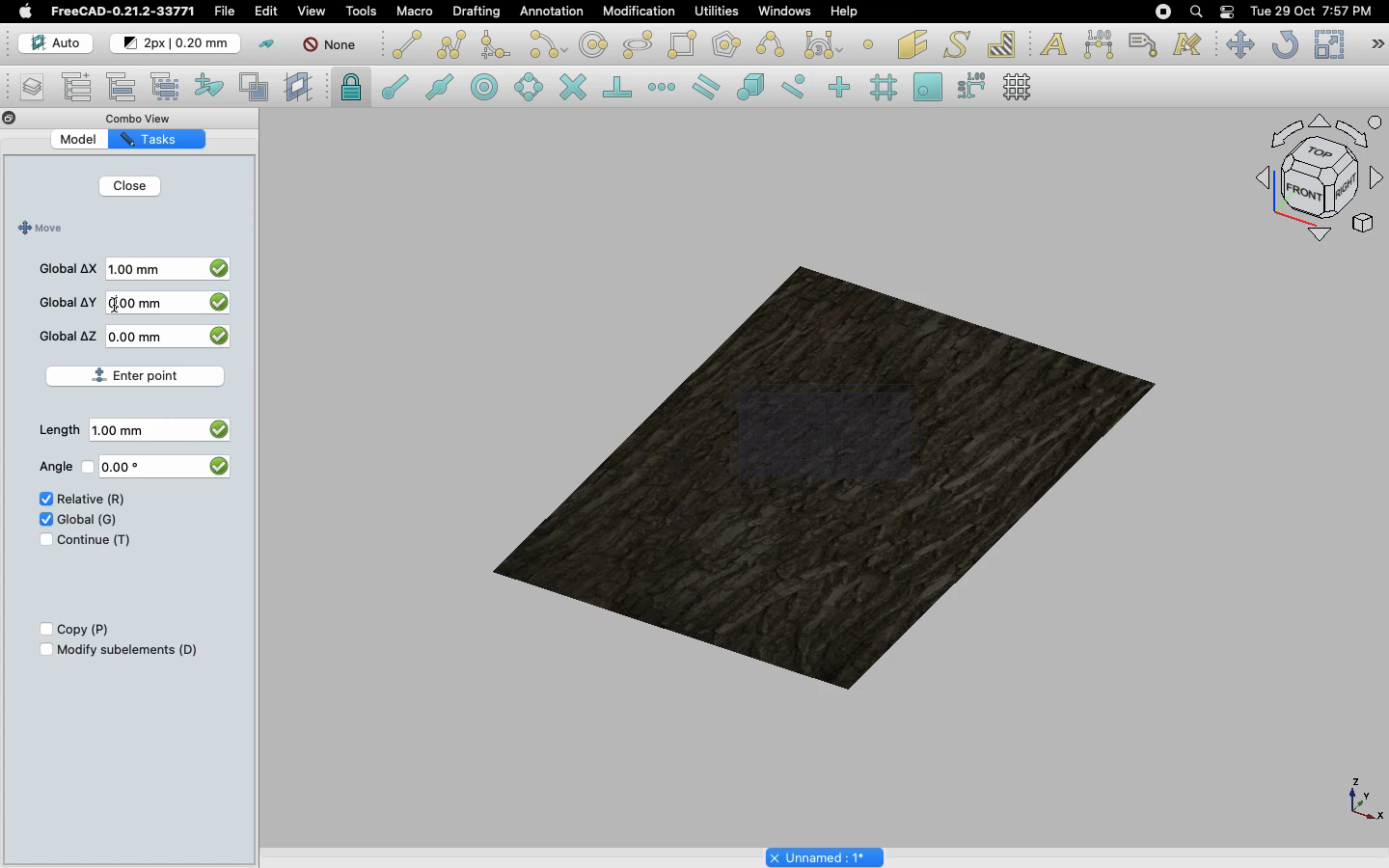 This screenshot has width=1389, height=868. What do you see at coordinates (52, 467) in the screenshot?
I see `Angle` at bounding box center [52, 467].